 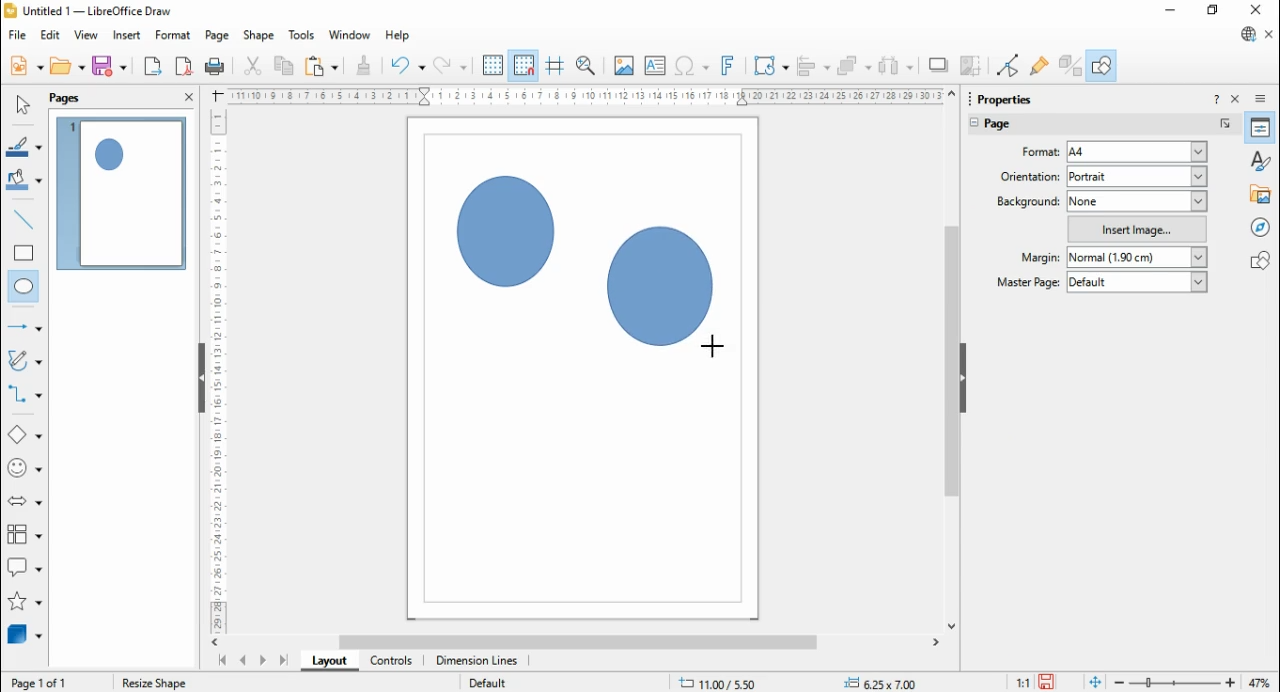 I want to click on styles, so click(x=1262, y=159).